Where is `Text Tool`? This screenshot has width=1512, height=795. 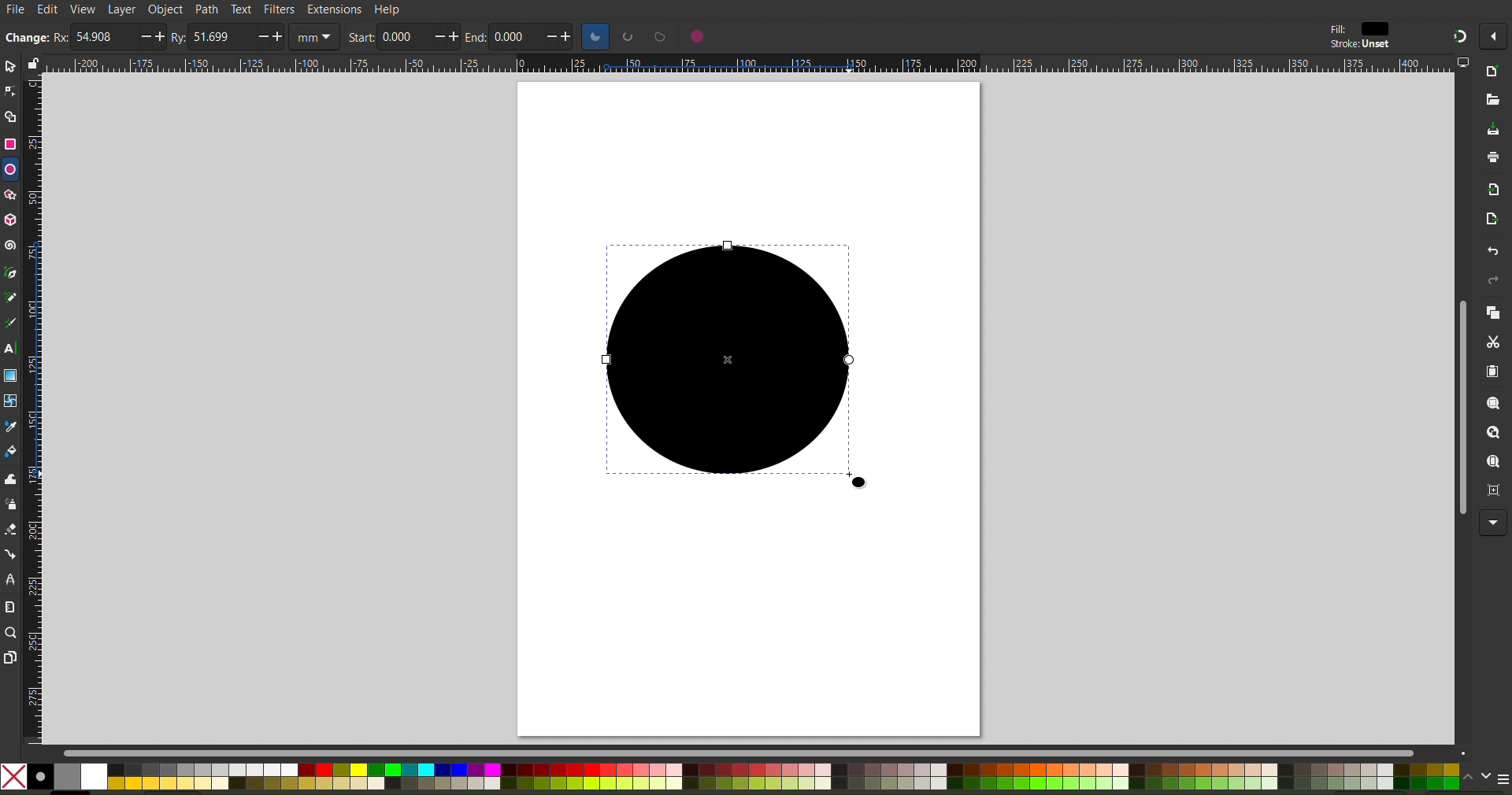
Text Tool is located at coordinates (11, 347).